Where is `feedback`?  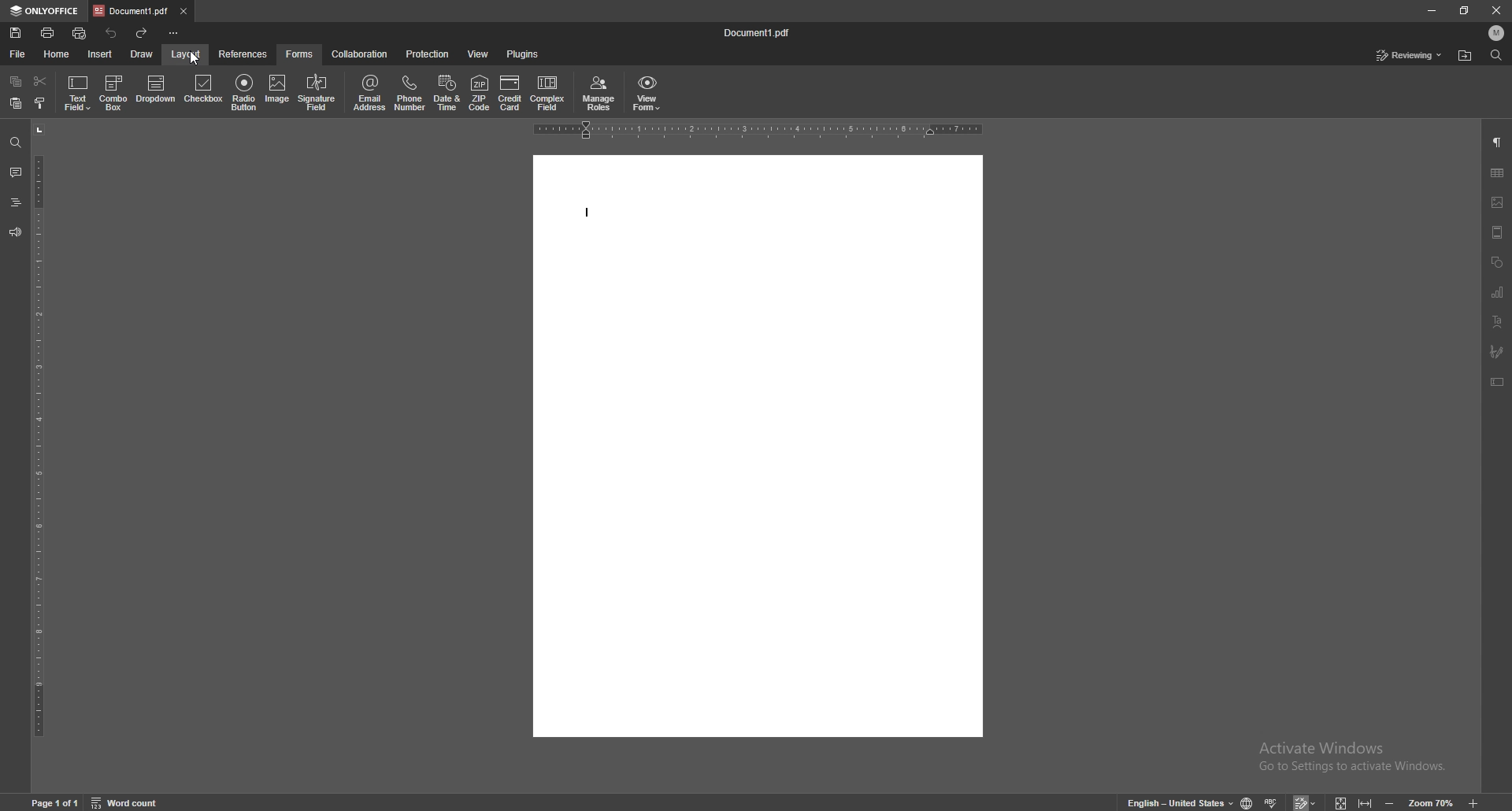 feedback is located at coordinates (16, 232).